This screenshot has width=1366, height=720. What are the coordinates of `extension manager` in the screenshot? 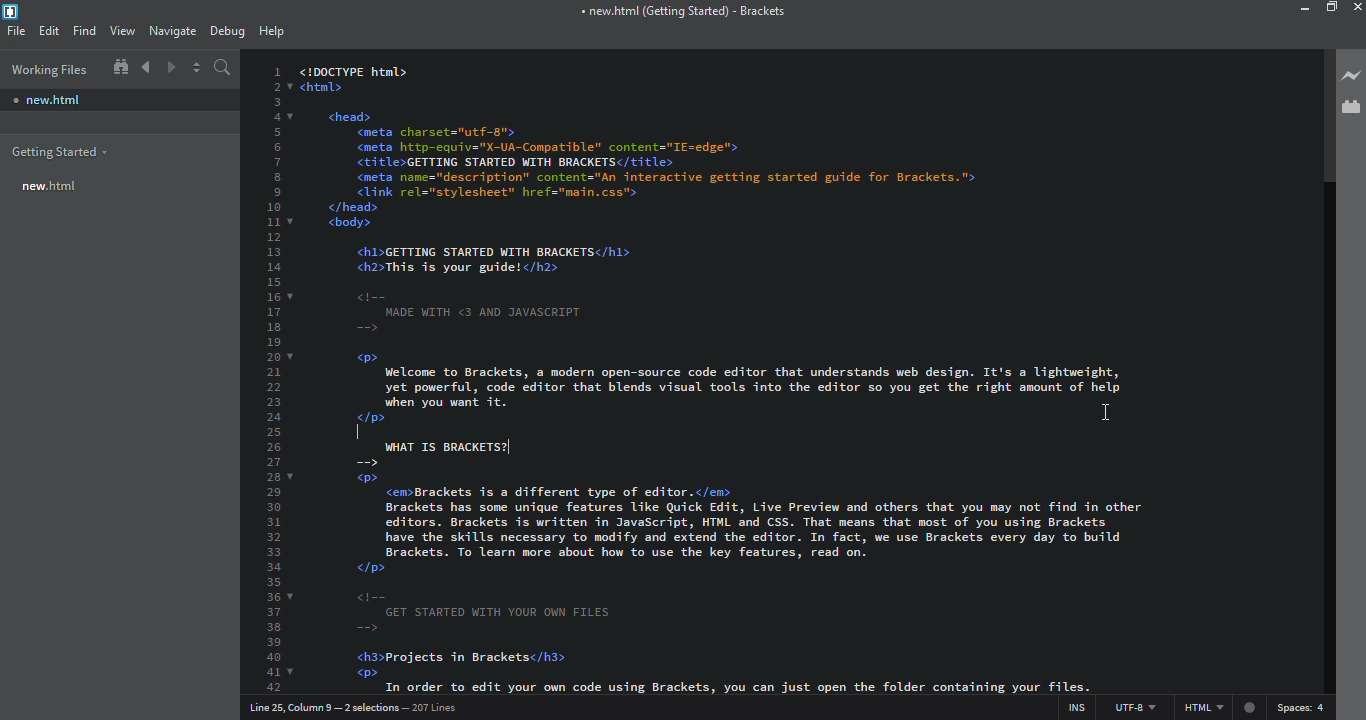 It's located at (1350, 106).